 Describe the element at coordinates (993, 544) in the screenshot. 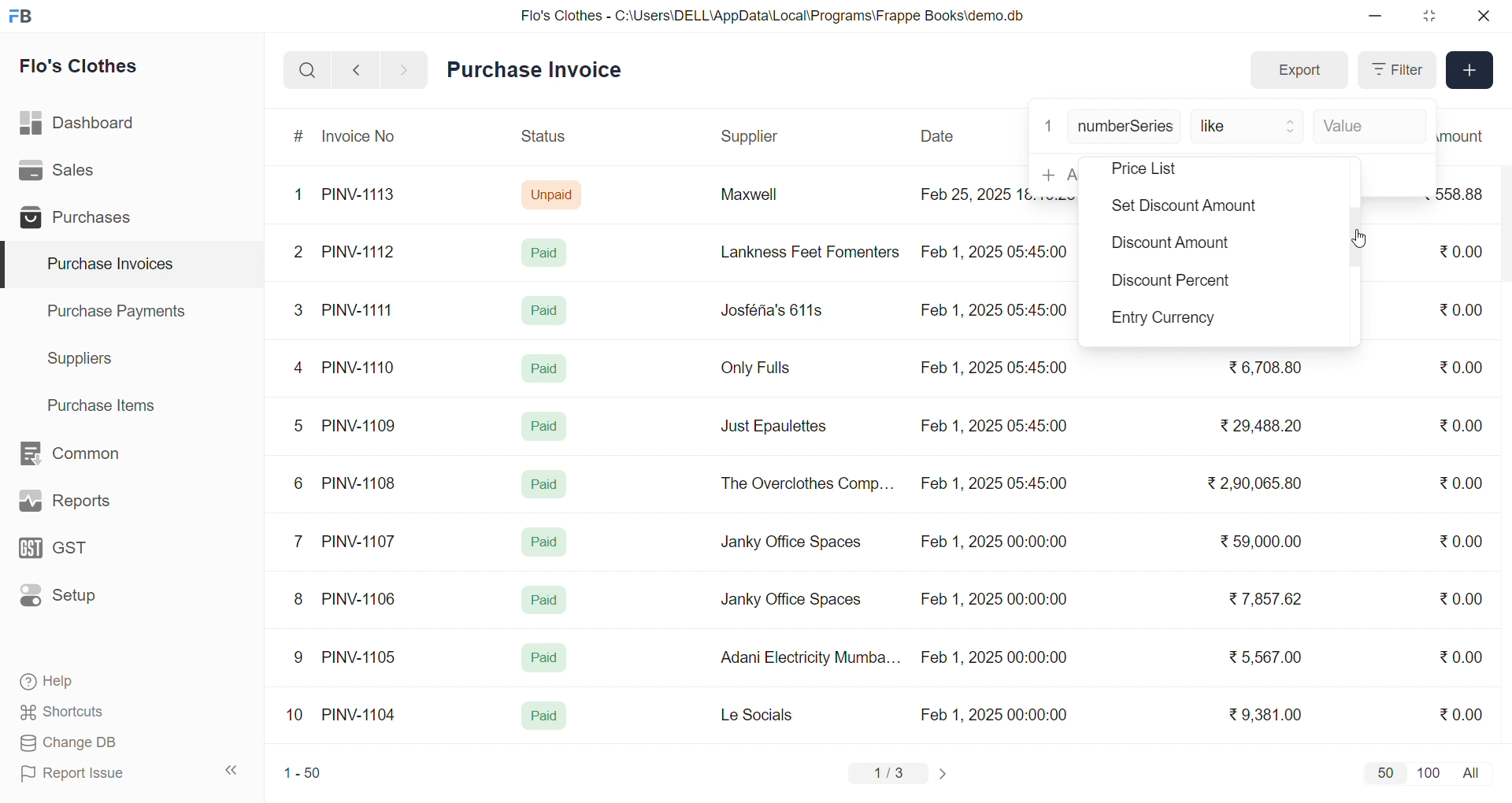

I see `Feb 1, 2025 00:00:00` at that location.